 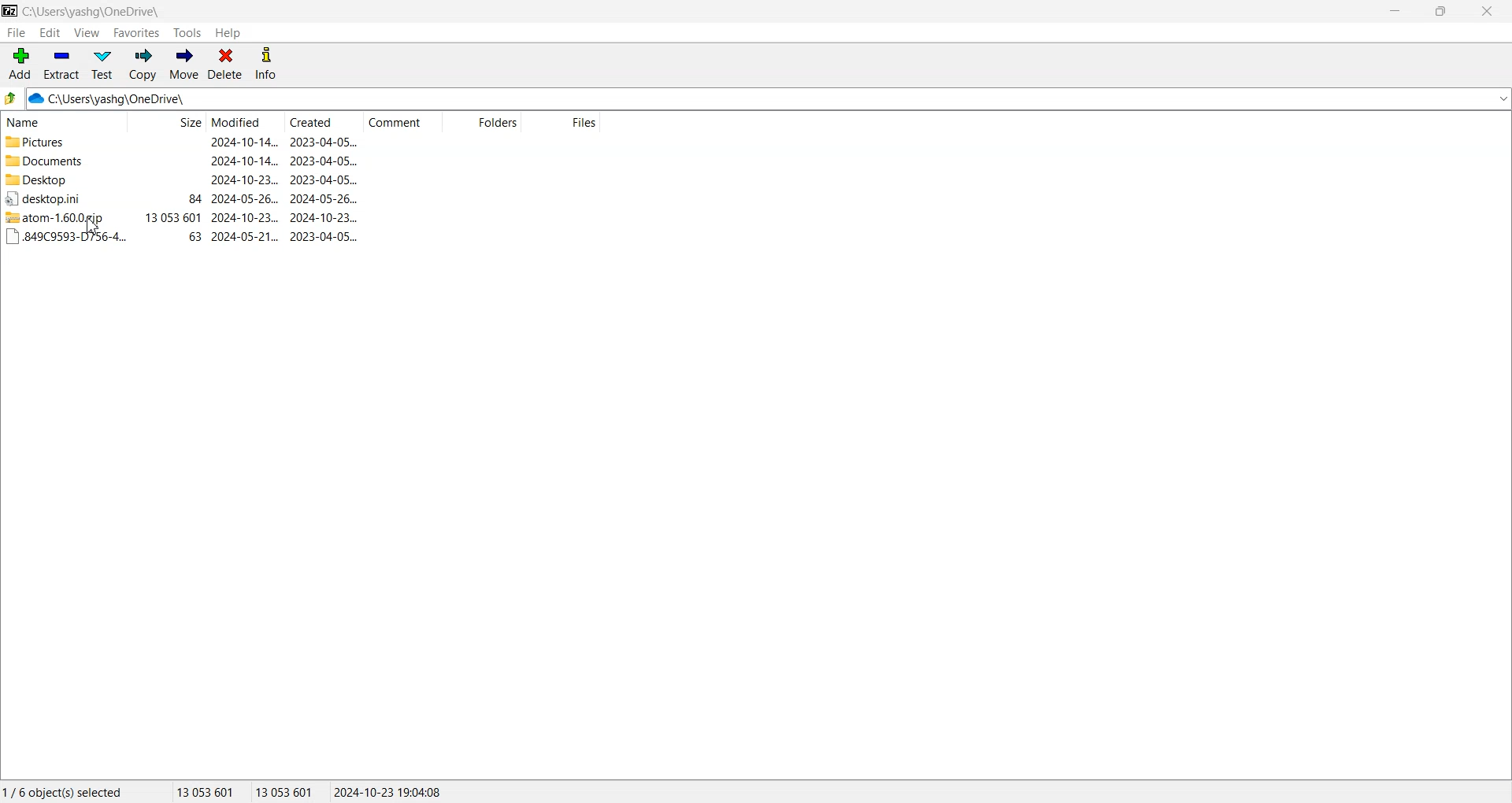 What do you see at coordinates (324, 217) in the screenshot?
I see `2024-10-23` at bounding box center [324, 217].